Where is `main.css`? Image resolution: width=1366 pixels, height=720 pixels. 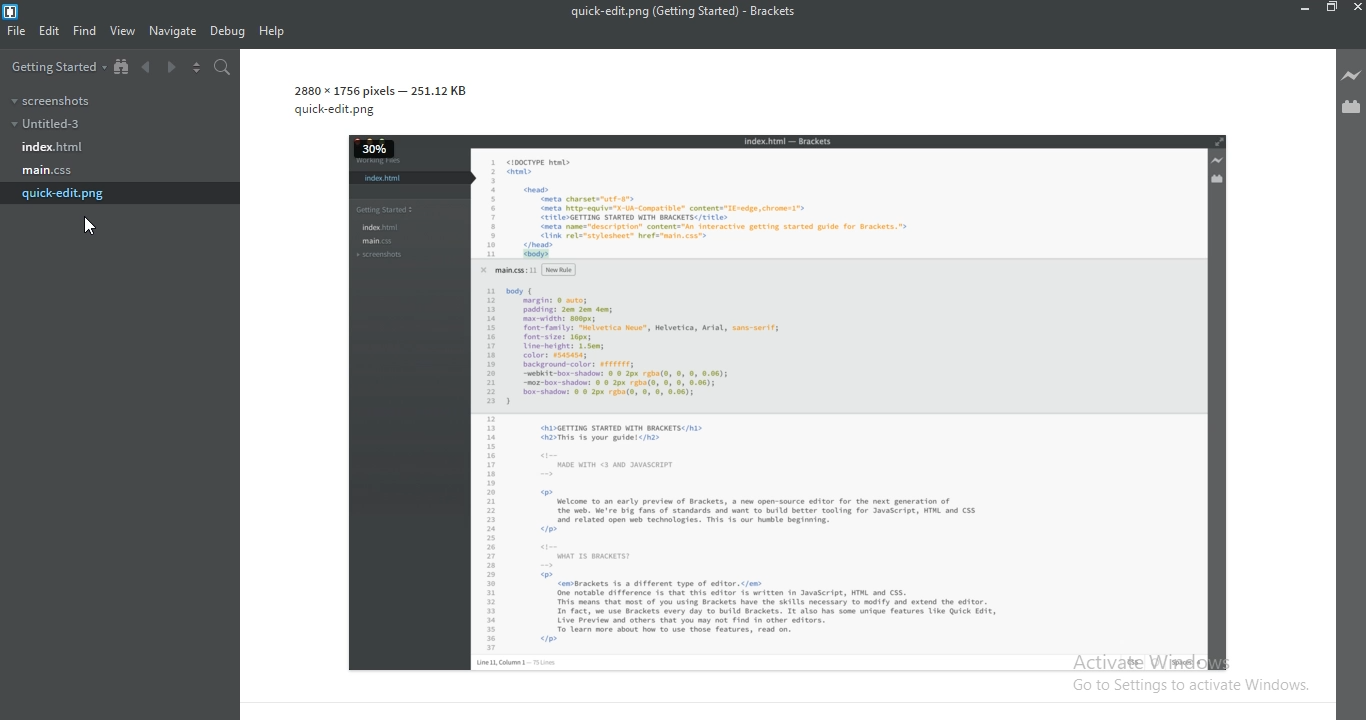
main.css is located at coordinates (48, 169).